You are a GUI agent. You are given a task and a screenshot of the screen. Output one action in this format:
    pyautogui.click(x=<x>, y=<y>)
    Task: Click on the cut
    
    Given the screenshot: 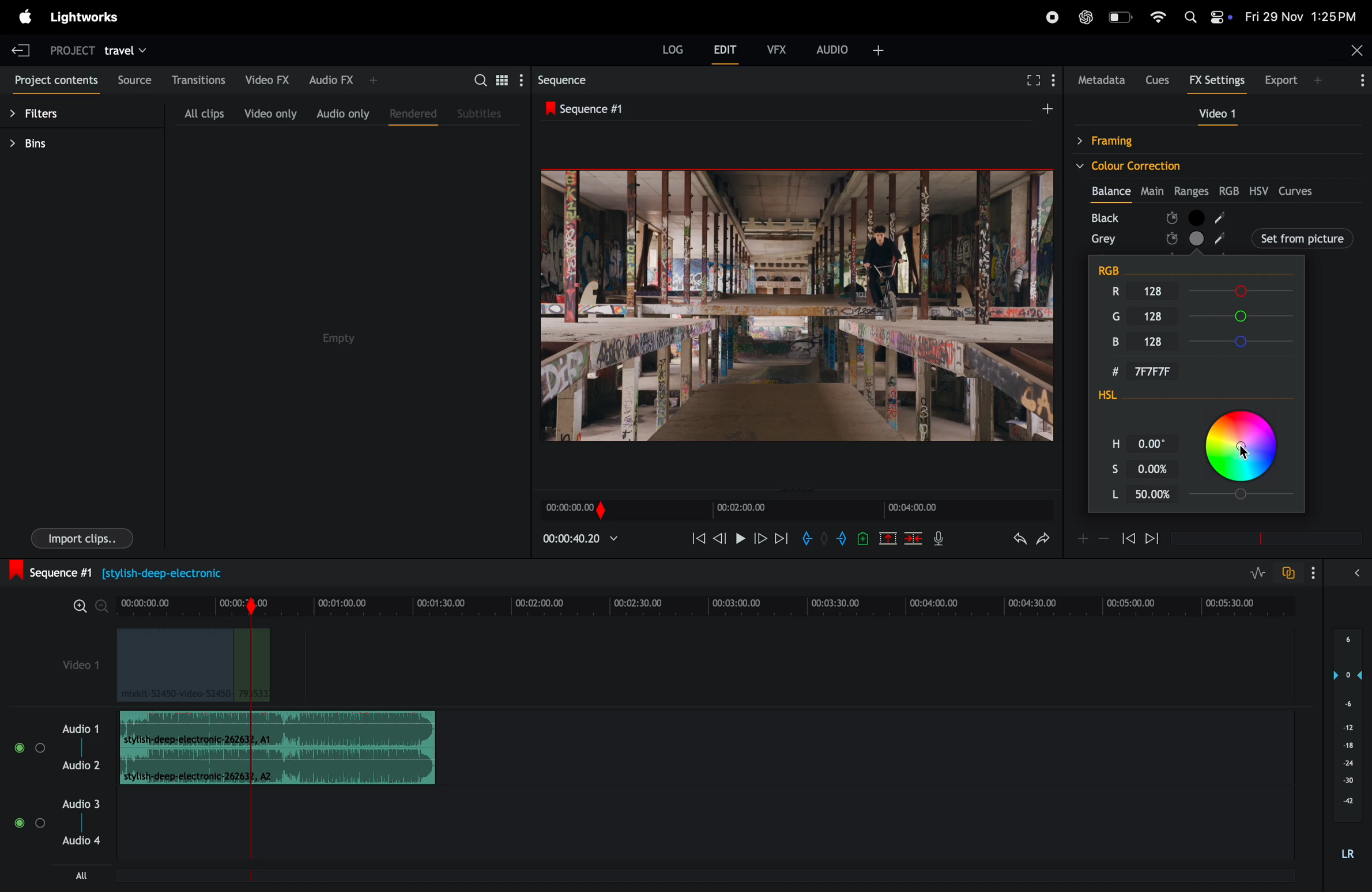 What is the action you would take?
    pyautogui.click(x=887, y=540)
    